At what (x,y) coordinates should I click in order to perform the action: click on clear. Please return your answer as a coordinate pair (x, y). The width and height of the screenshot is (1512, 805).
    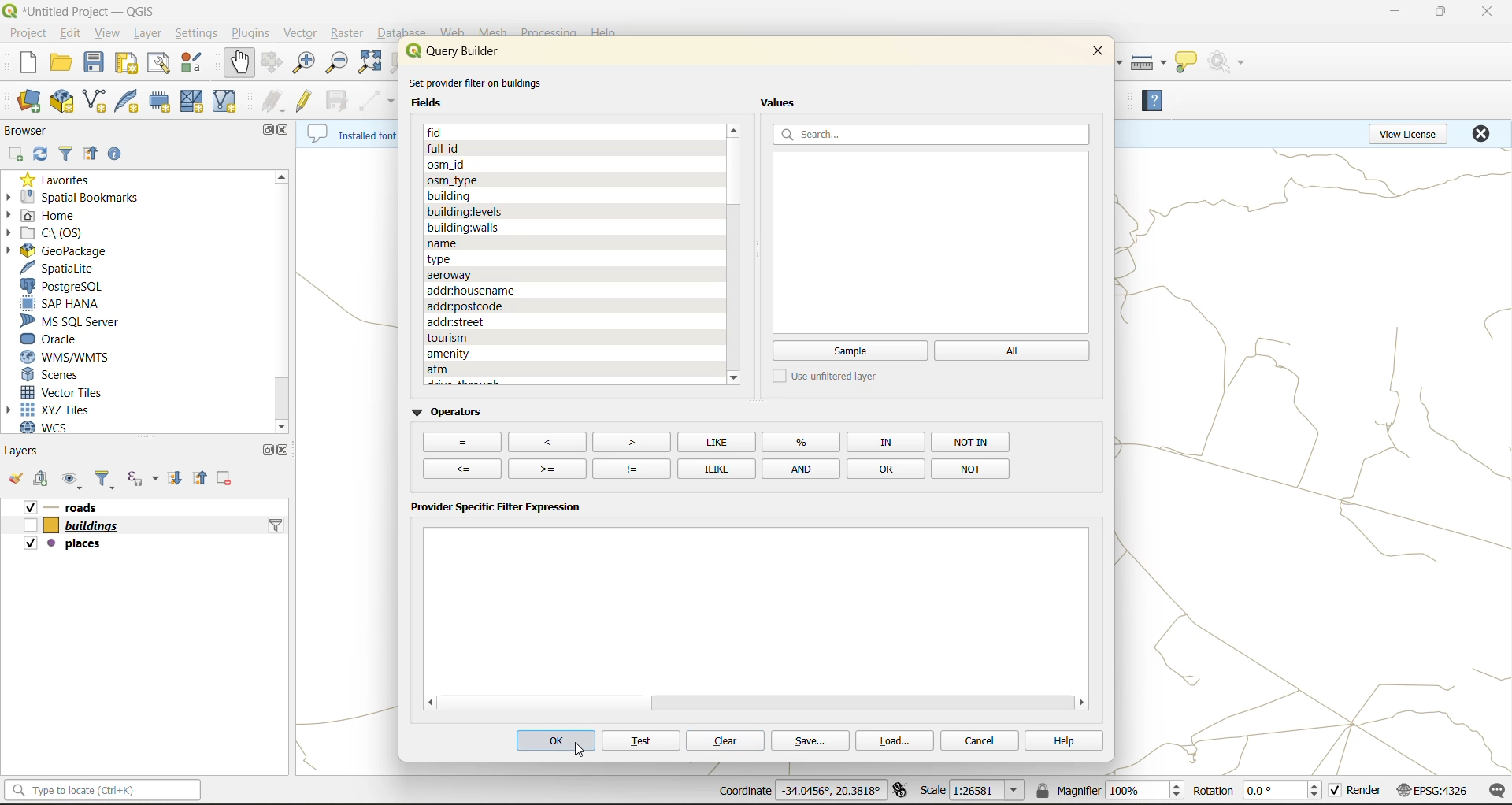
    Looking at the image, I should click on (726, 741).